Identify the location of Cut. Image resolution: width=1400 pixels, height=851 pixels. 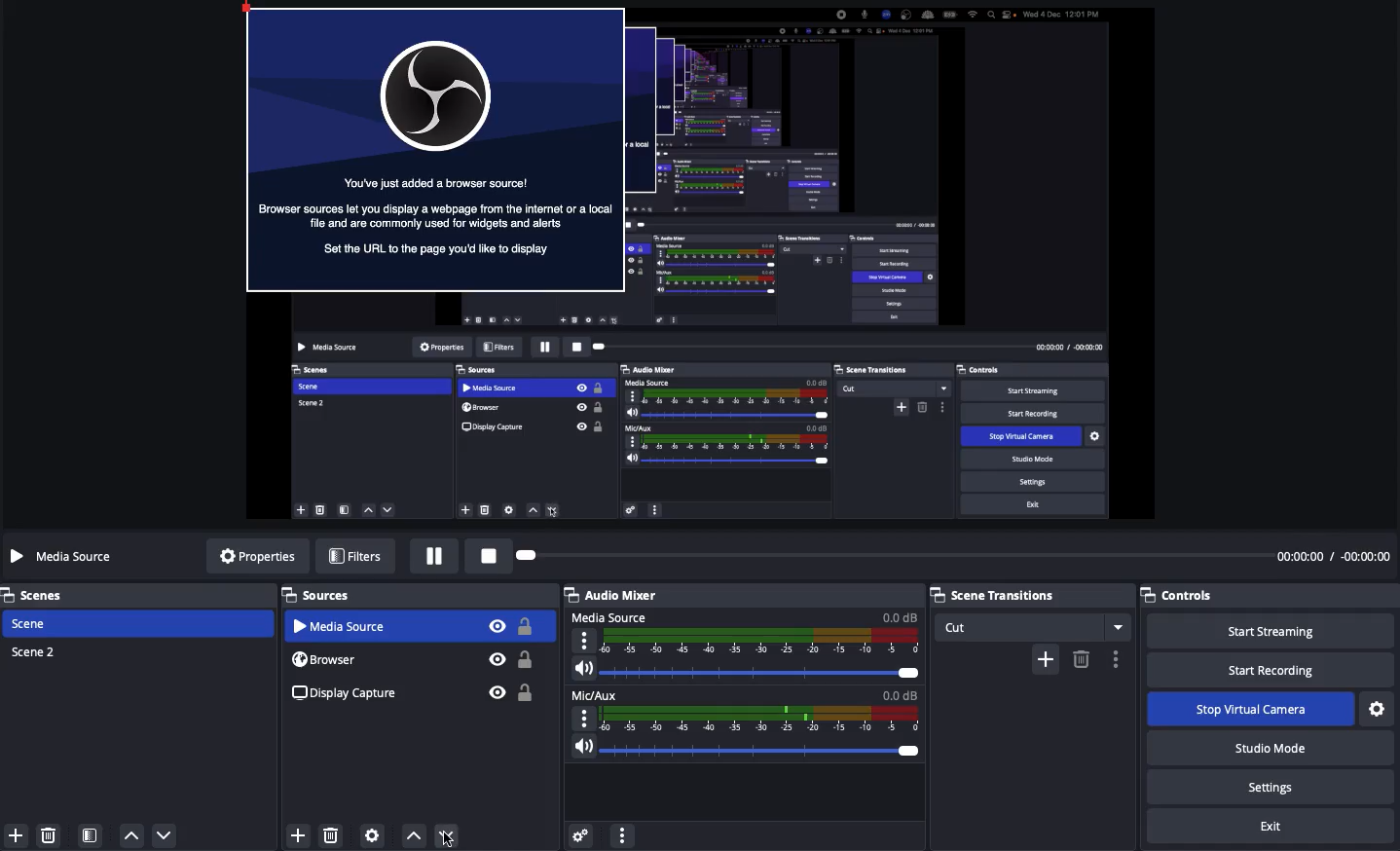
(1036, 627).